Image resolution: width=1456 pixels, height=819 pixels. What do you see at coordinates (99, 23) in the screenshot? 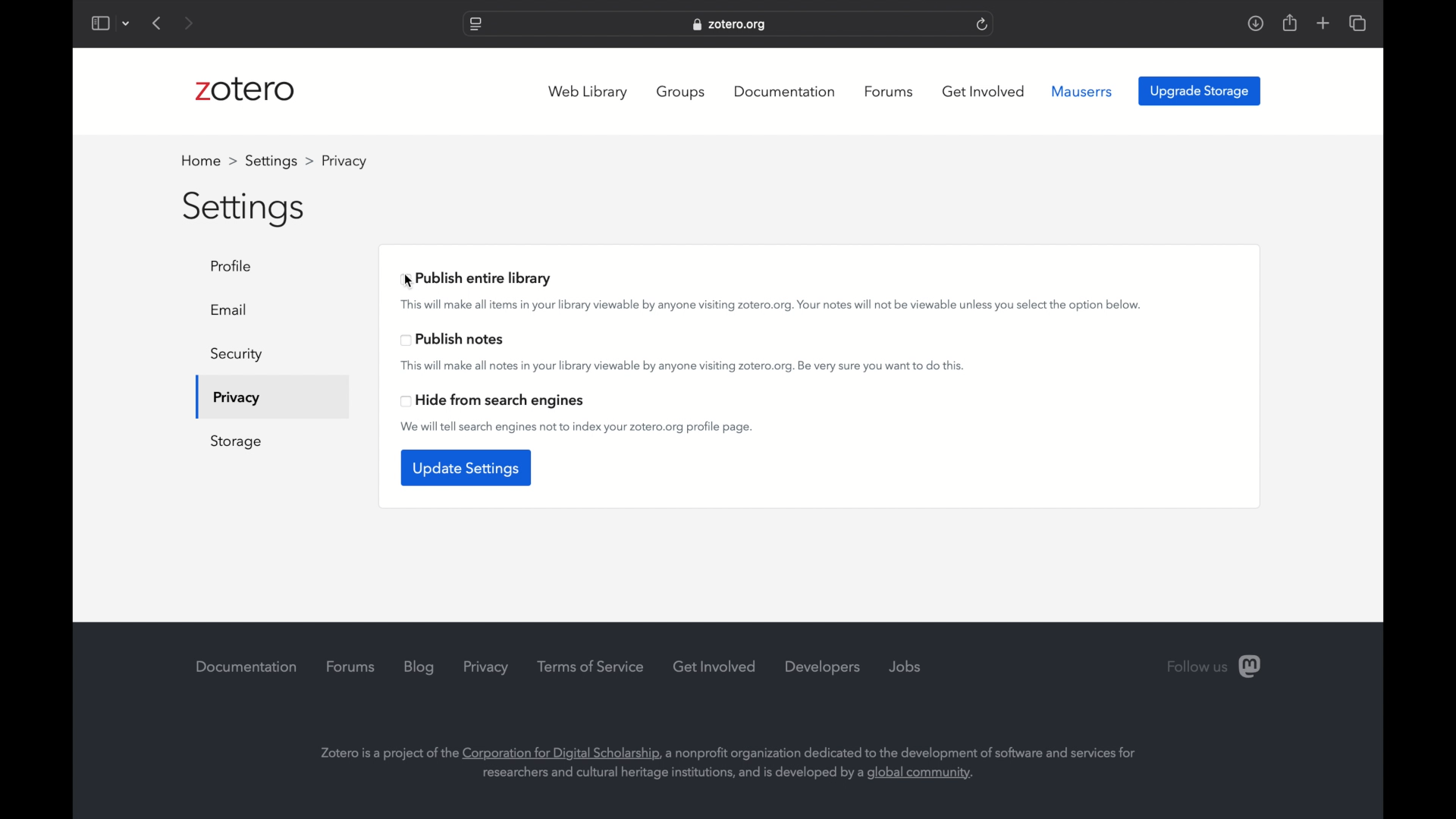
I see `show sidebar` at bounding box center [99, 23].